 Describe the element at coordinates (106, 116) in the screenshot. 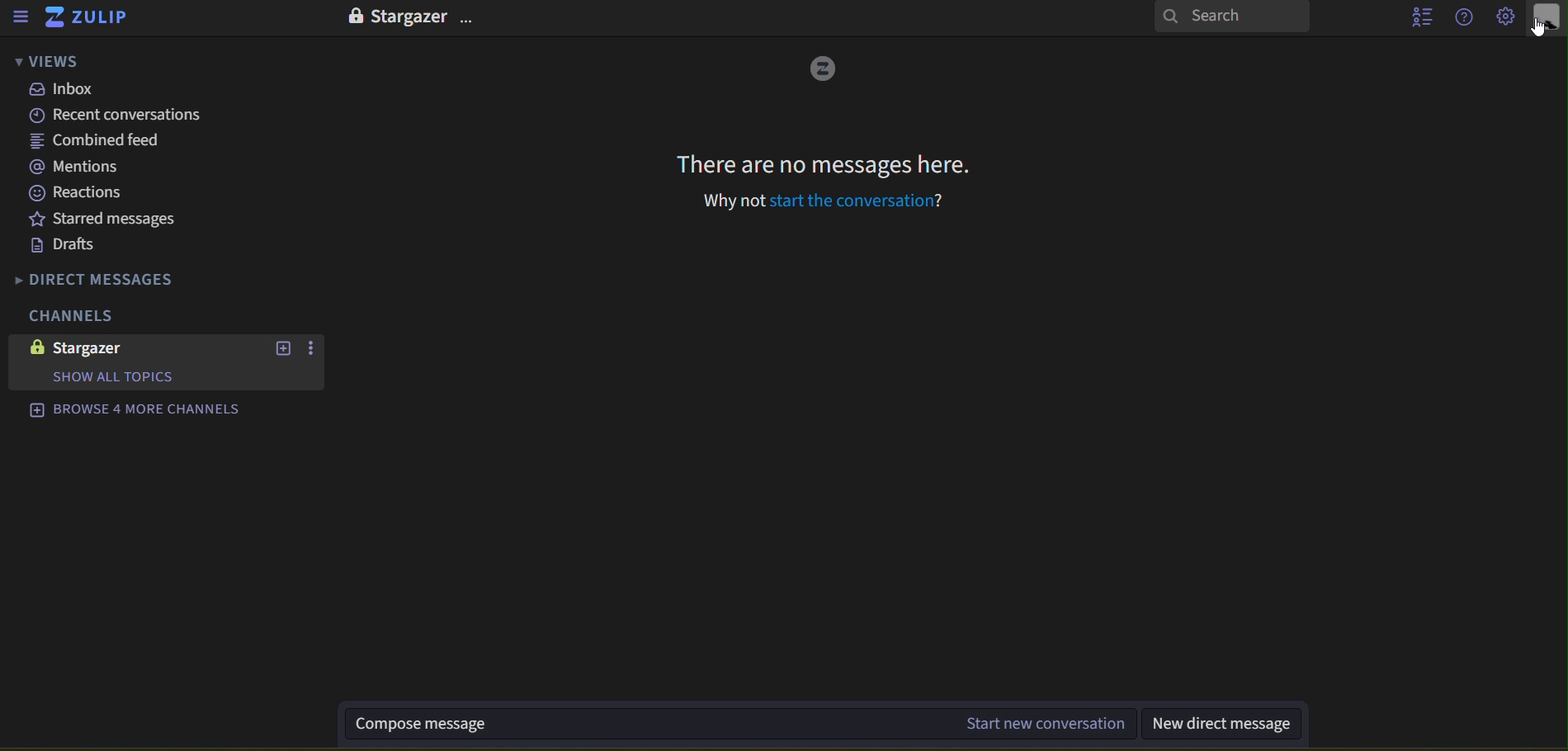

I see `recent canversations` at that location.